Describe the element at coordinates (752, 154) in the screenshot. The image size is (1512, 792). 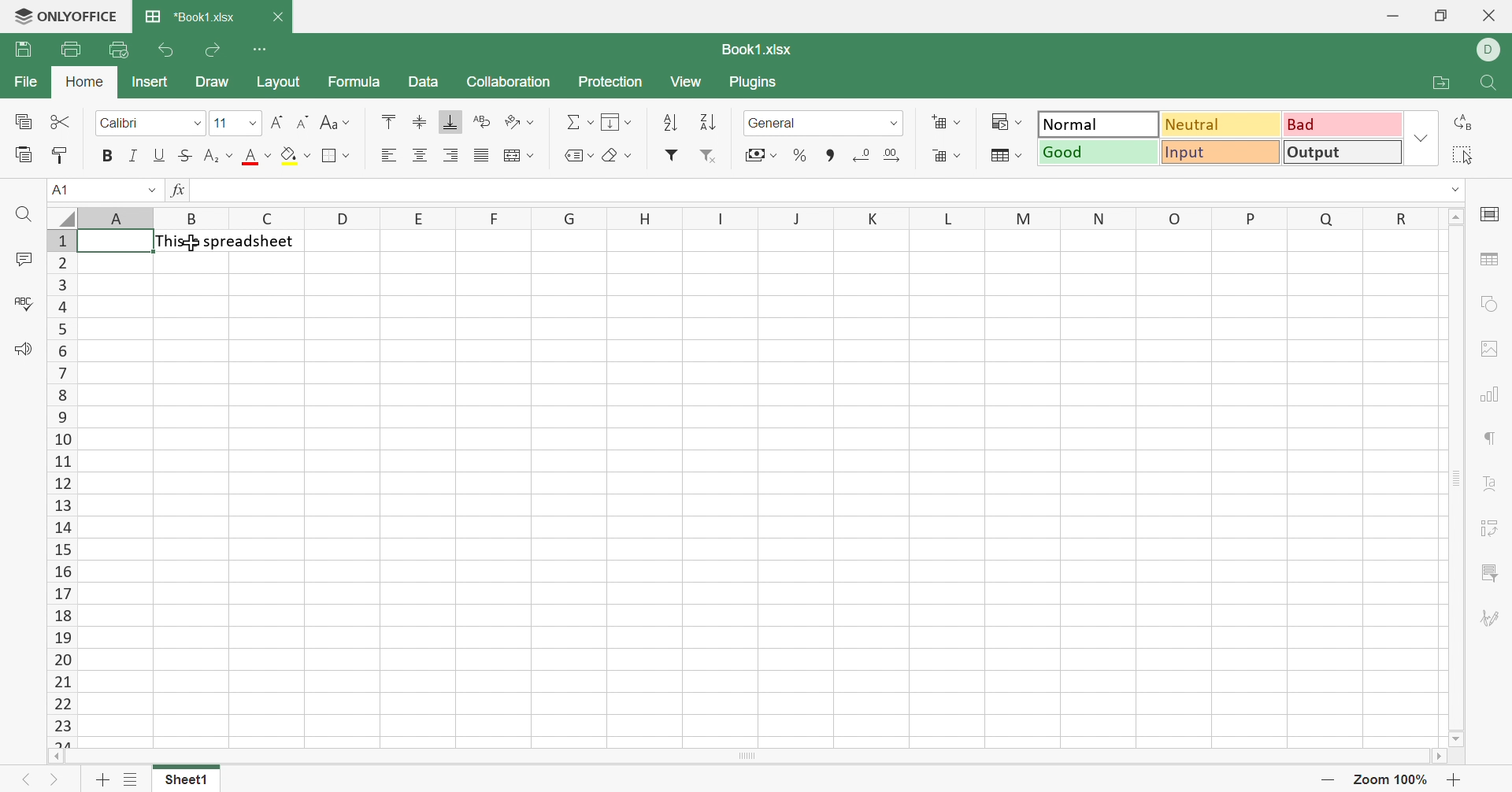
I see `Accounting styles` at that location.